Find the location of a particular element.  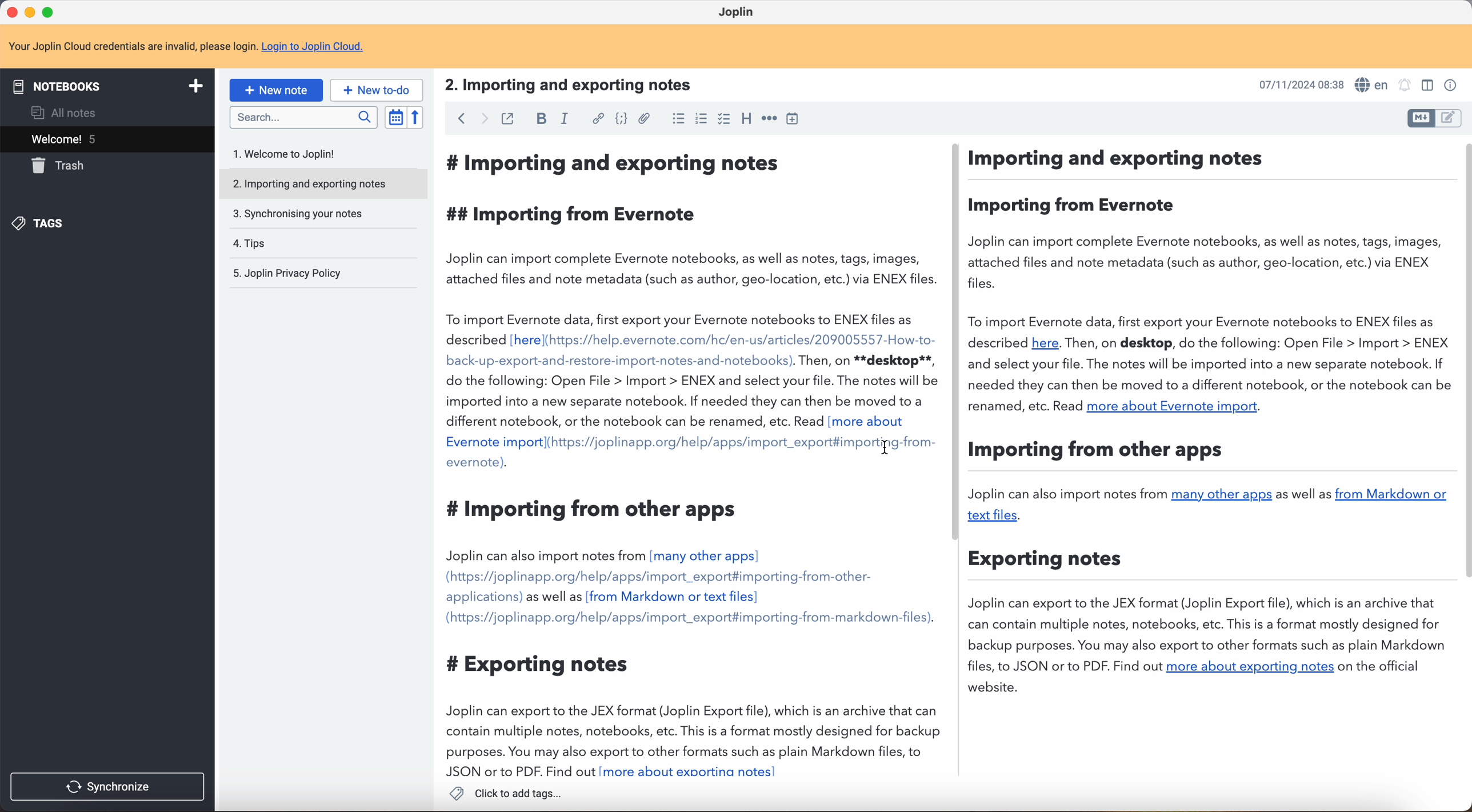

foward is located at coordinates (481, 119).